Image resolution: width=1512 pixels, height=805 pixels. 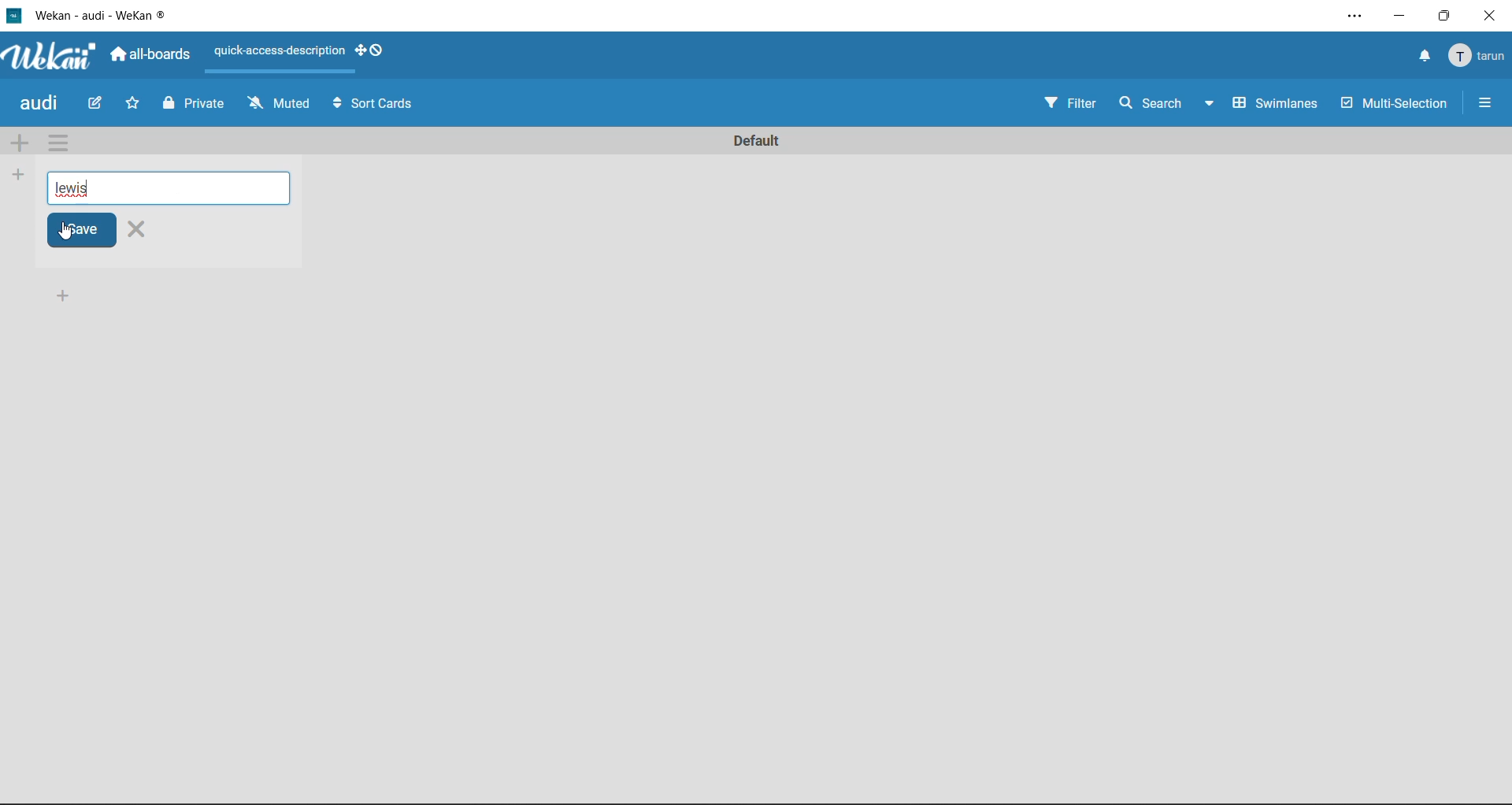 I want to click on Wekan - audi - WeKan, so click(x=94, y=14).